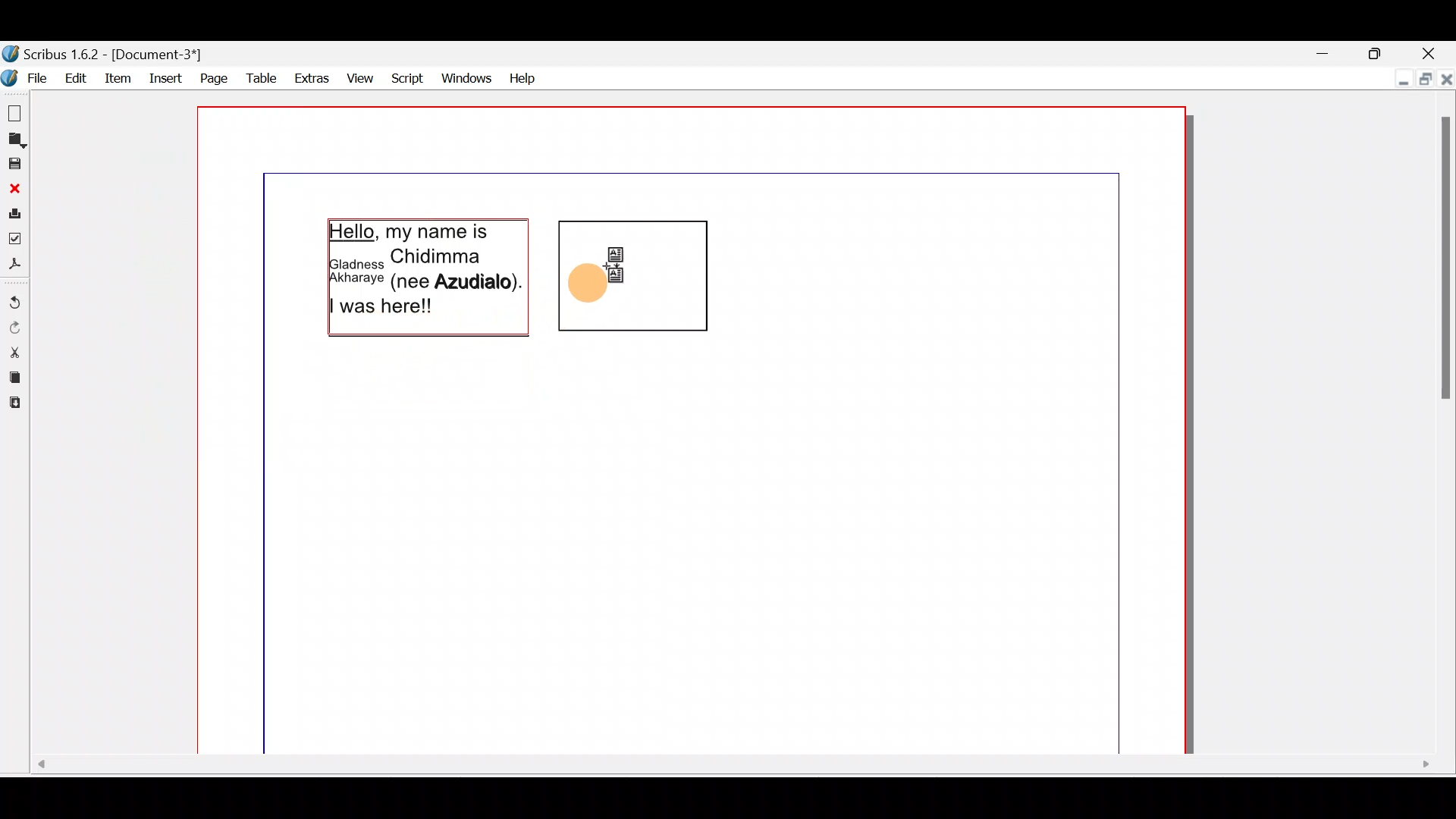  I want to click on Document name, so click(115, 54).